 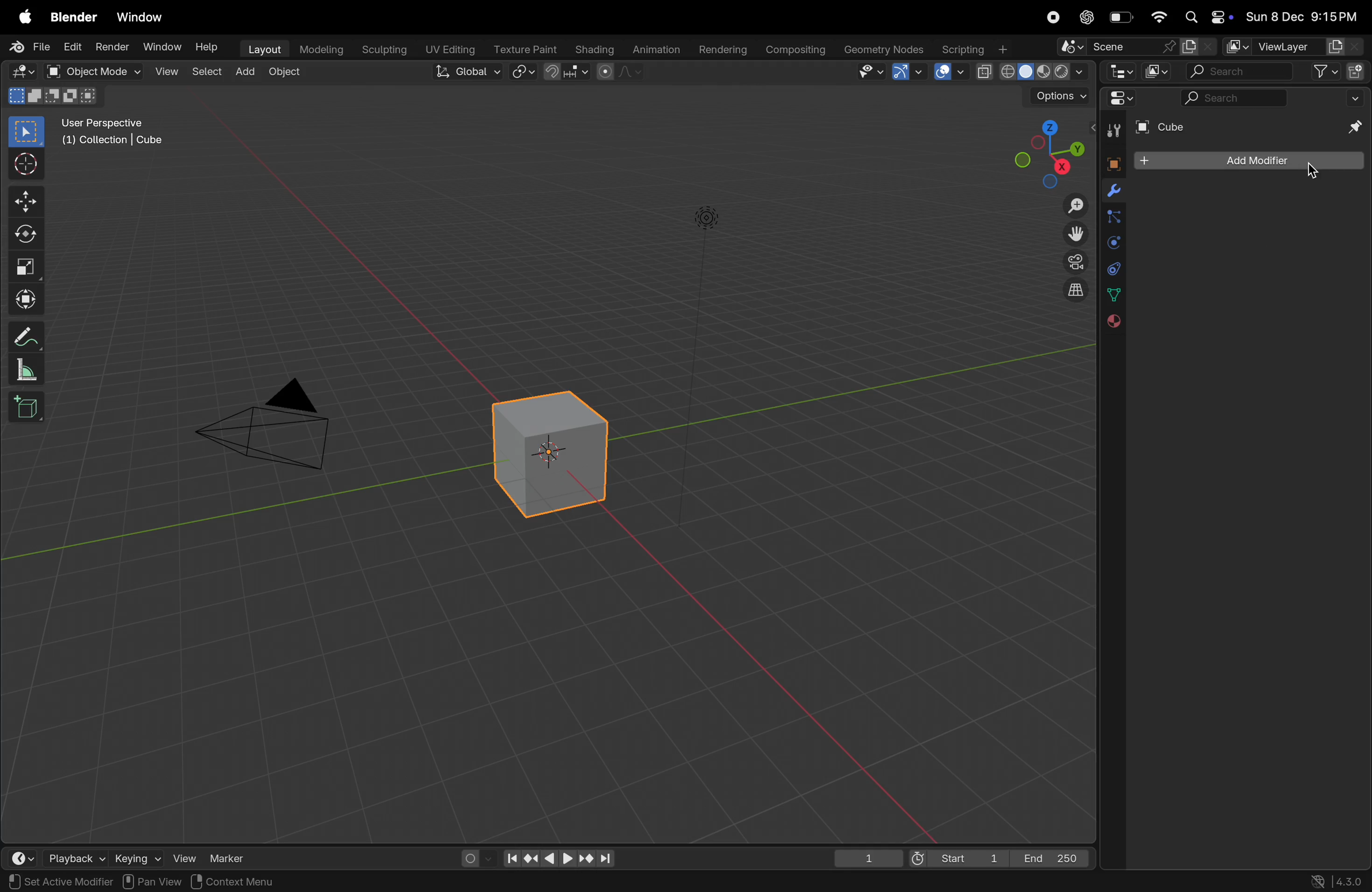 I want to click on searchbar, so click(x=1236, y=99).